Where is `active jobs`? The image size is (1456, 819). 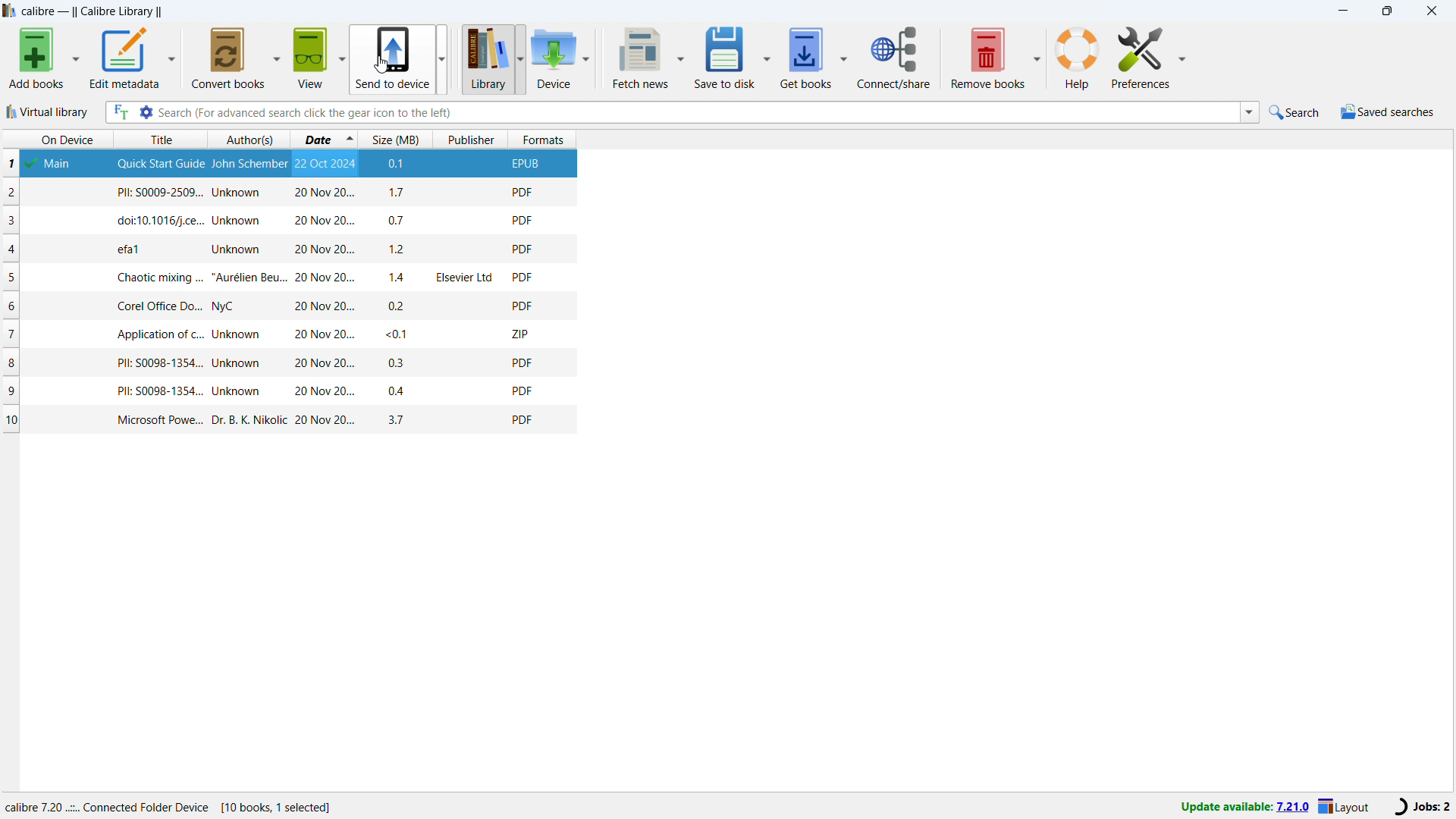 active jobs is located at coordinates (1419, 807).